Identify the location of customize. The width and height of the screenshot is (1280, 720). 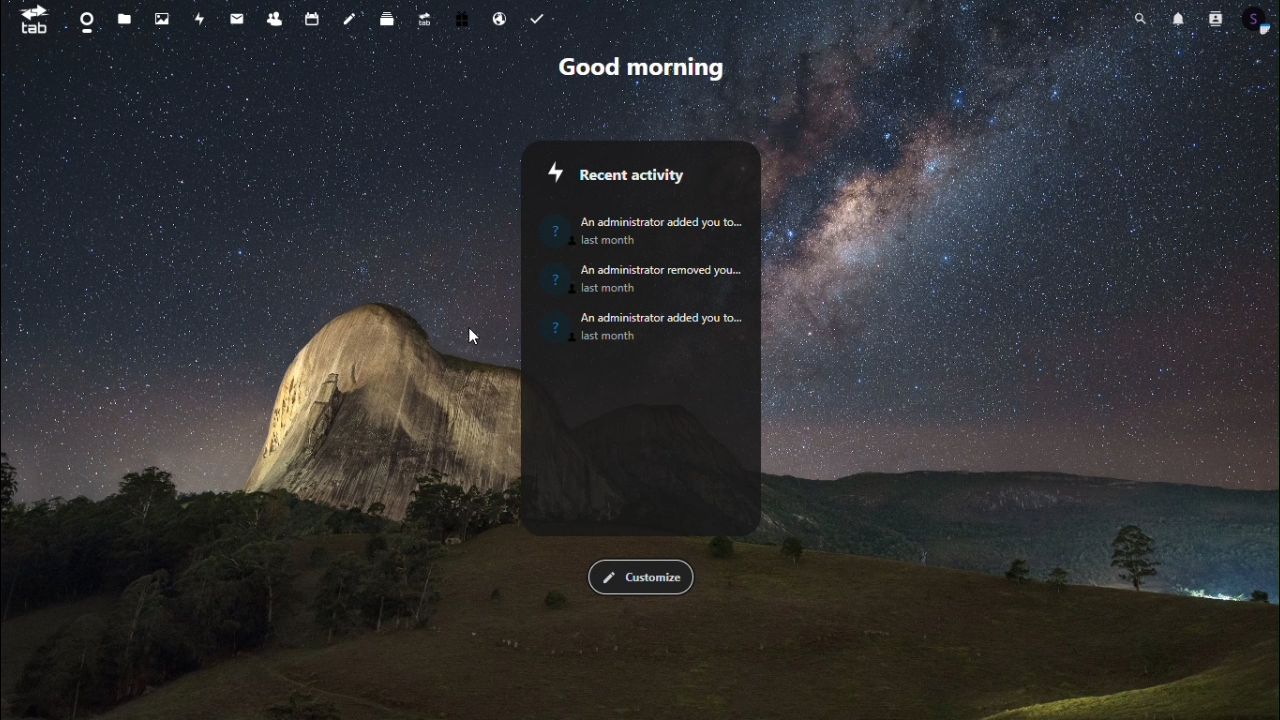
(650, 579).